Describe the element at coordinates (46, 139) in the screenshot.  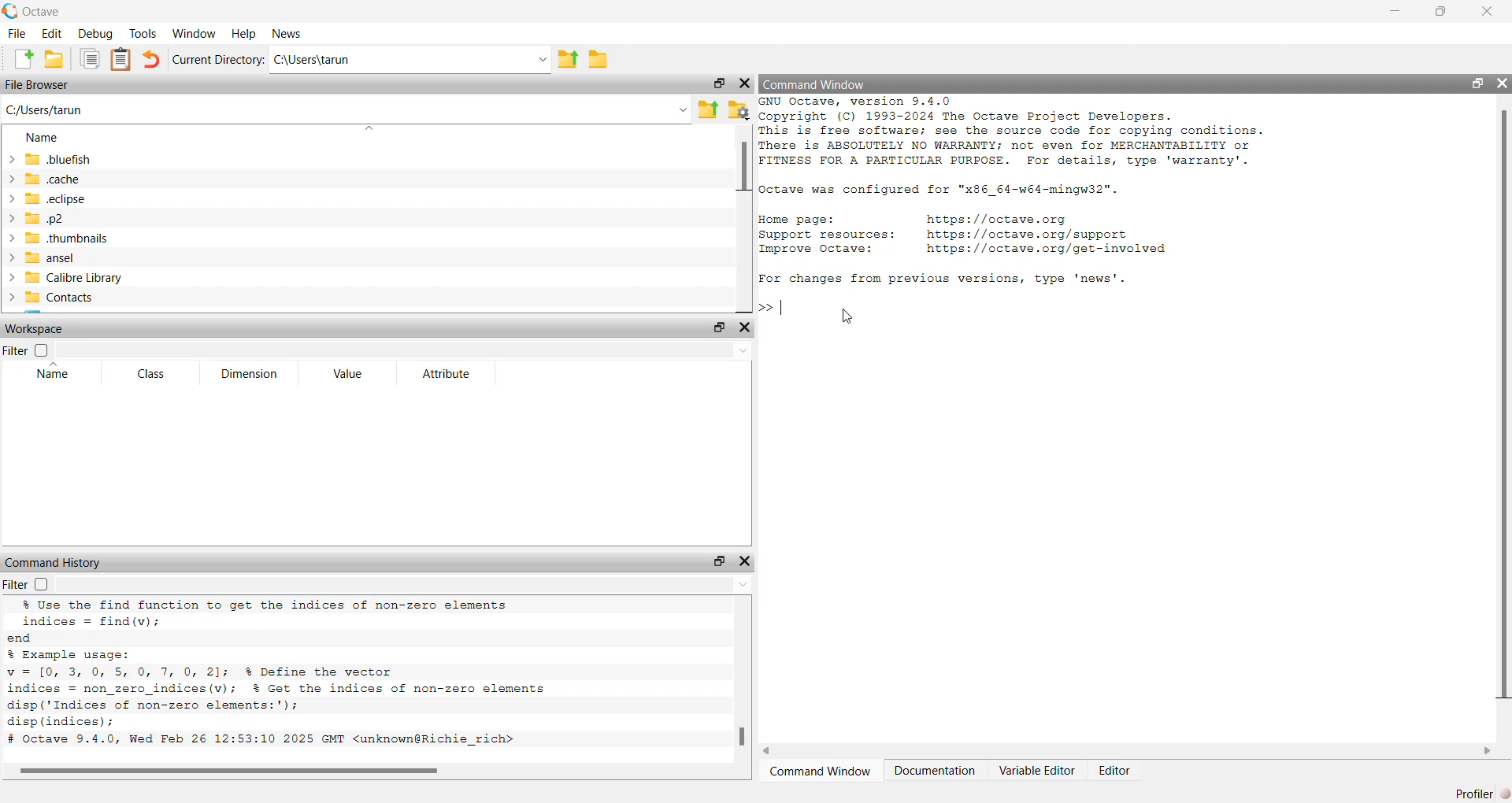
I see `Name` at that location.